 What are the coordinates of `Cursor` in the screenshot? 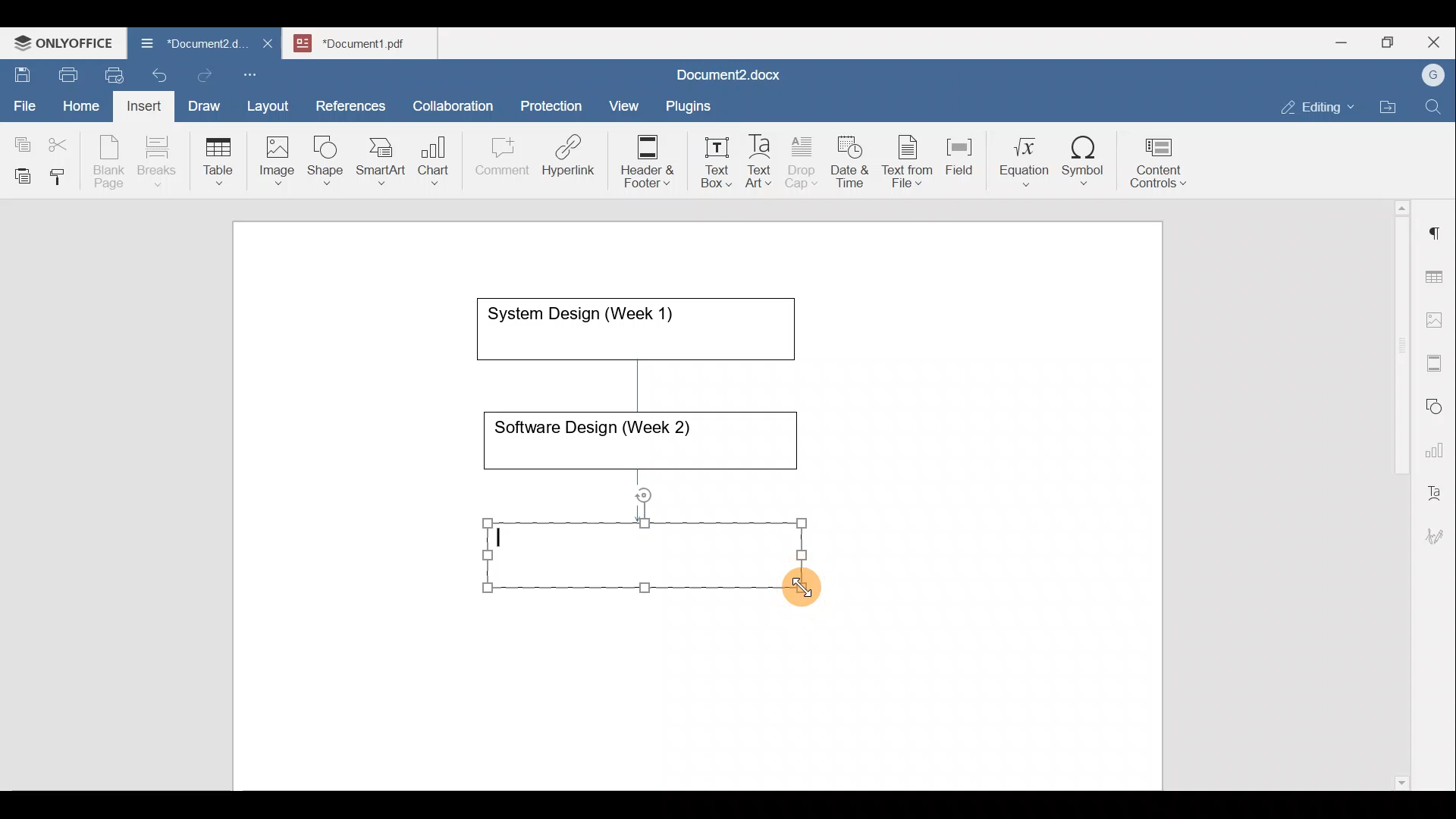 It's located at (820, 593).